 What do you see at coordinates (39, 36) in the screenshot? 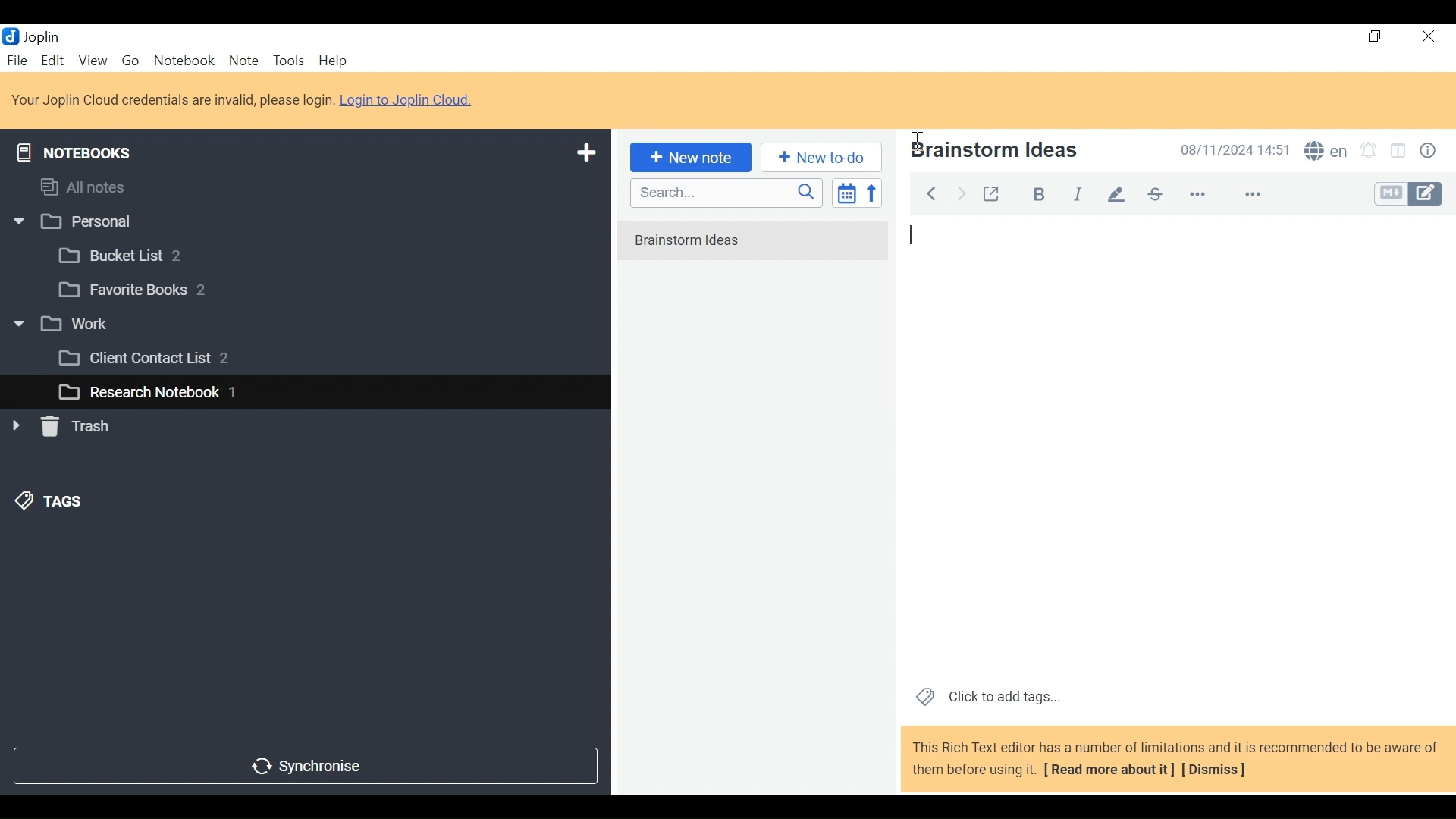
I see `Joplin Desktop Icon` at bounding box center [39, 36].